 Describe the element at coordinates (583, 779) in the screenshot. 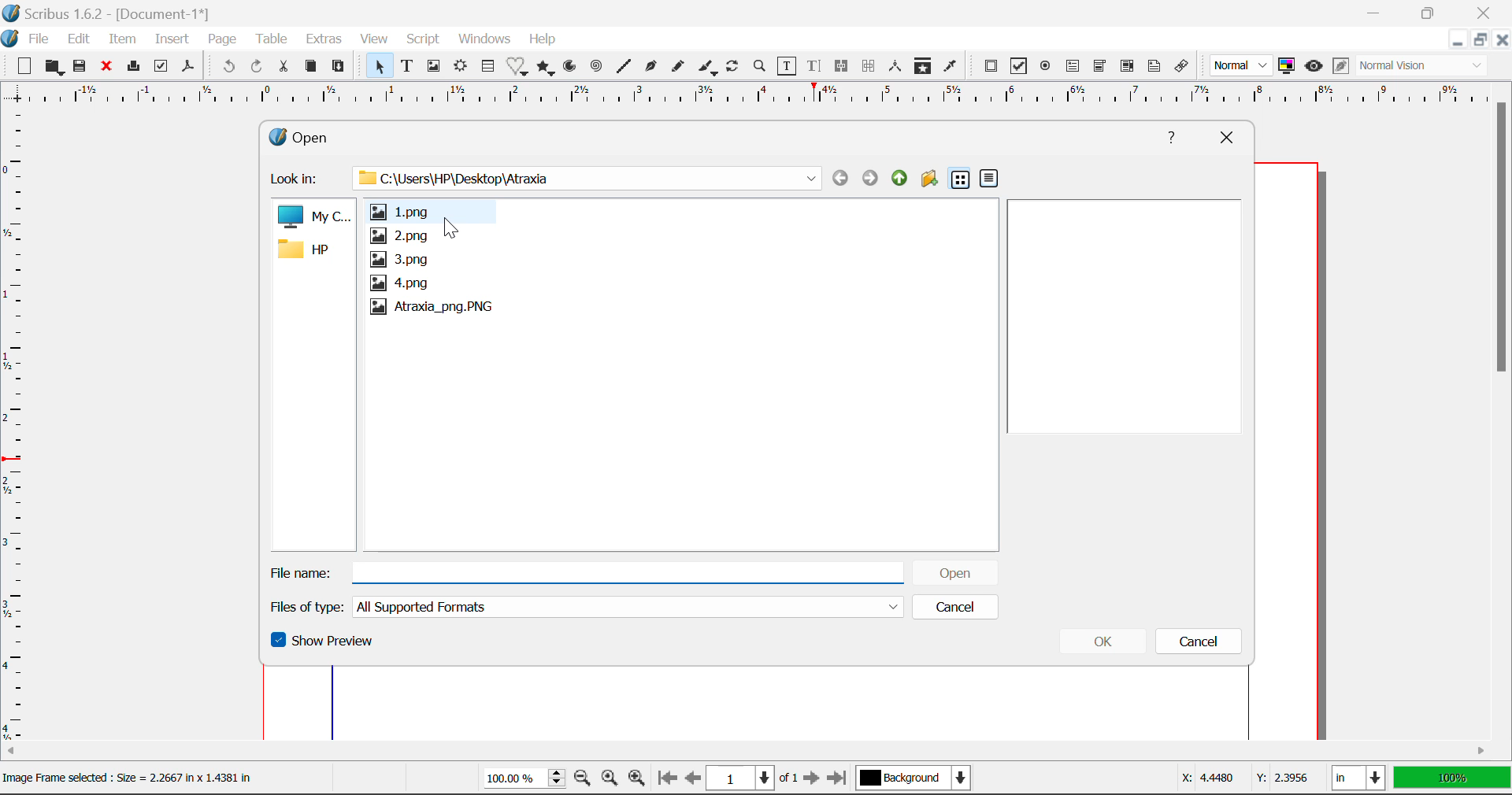

I see `Zoom Out` at that location.